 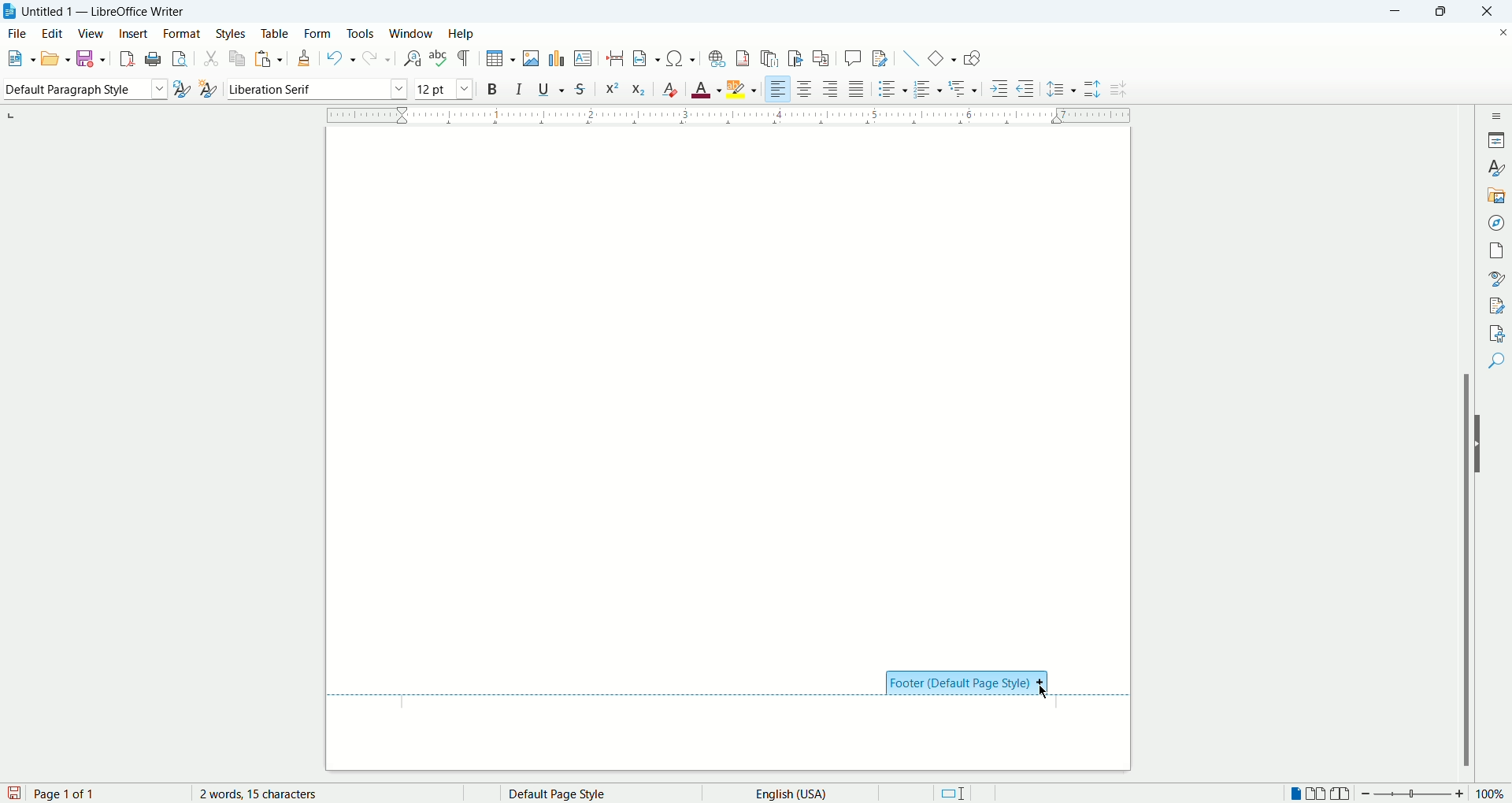 What do you see at coordinates (1492, 11) in the screenshot?
I see `close` at bounding box center [1492, 11].